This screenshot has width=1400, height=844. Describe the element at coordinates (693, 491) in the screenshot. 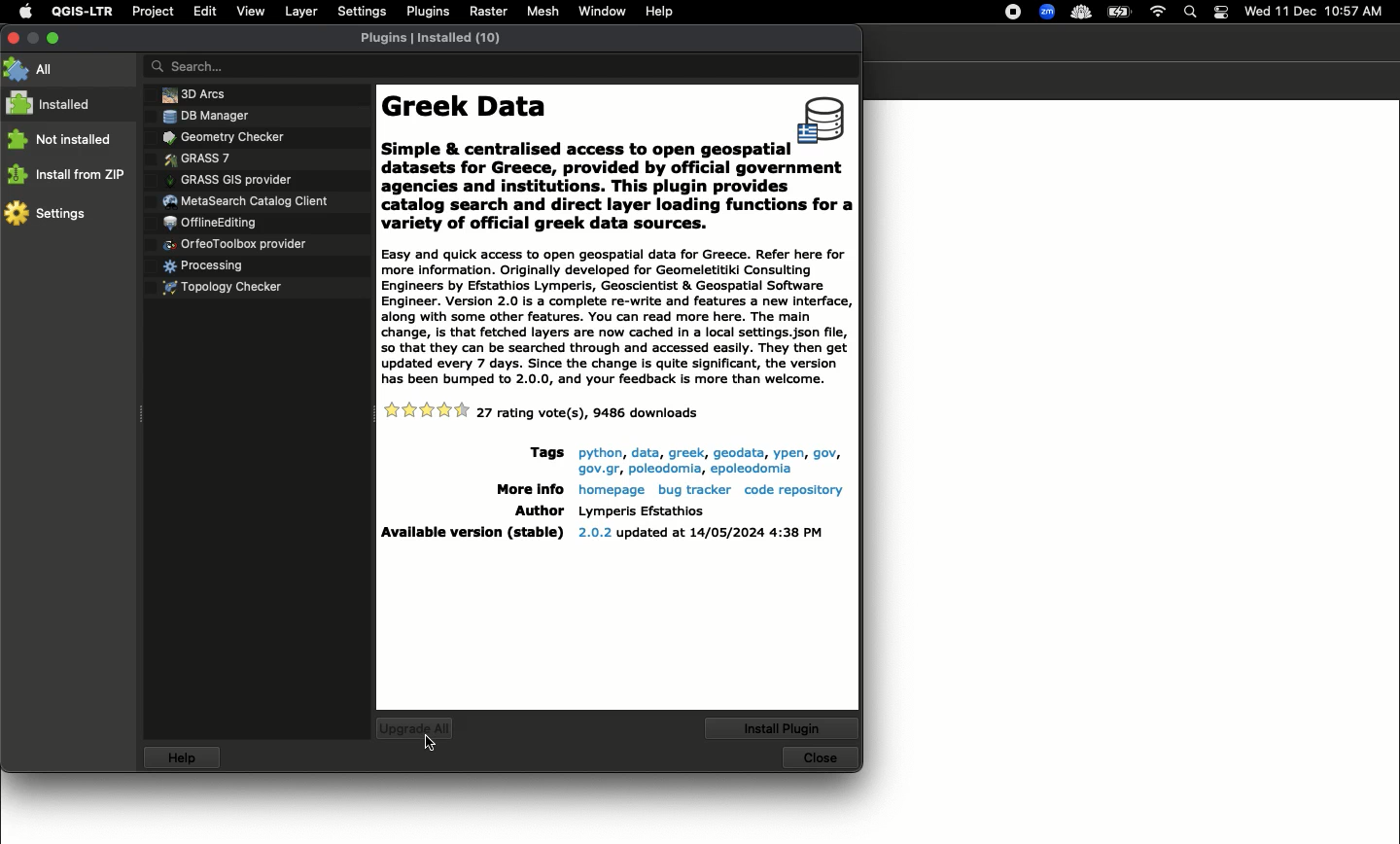

I see `bug tracke:` at that location.